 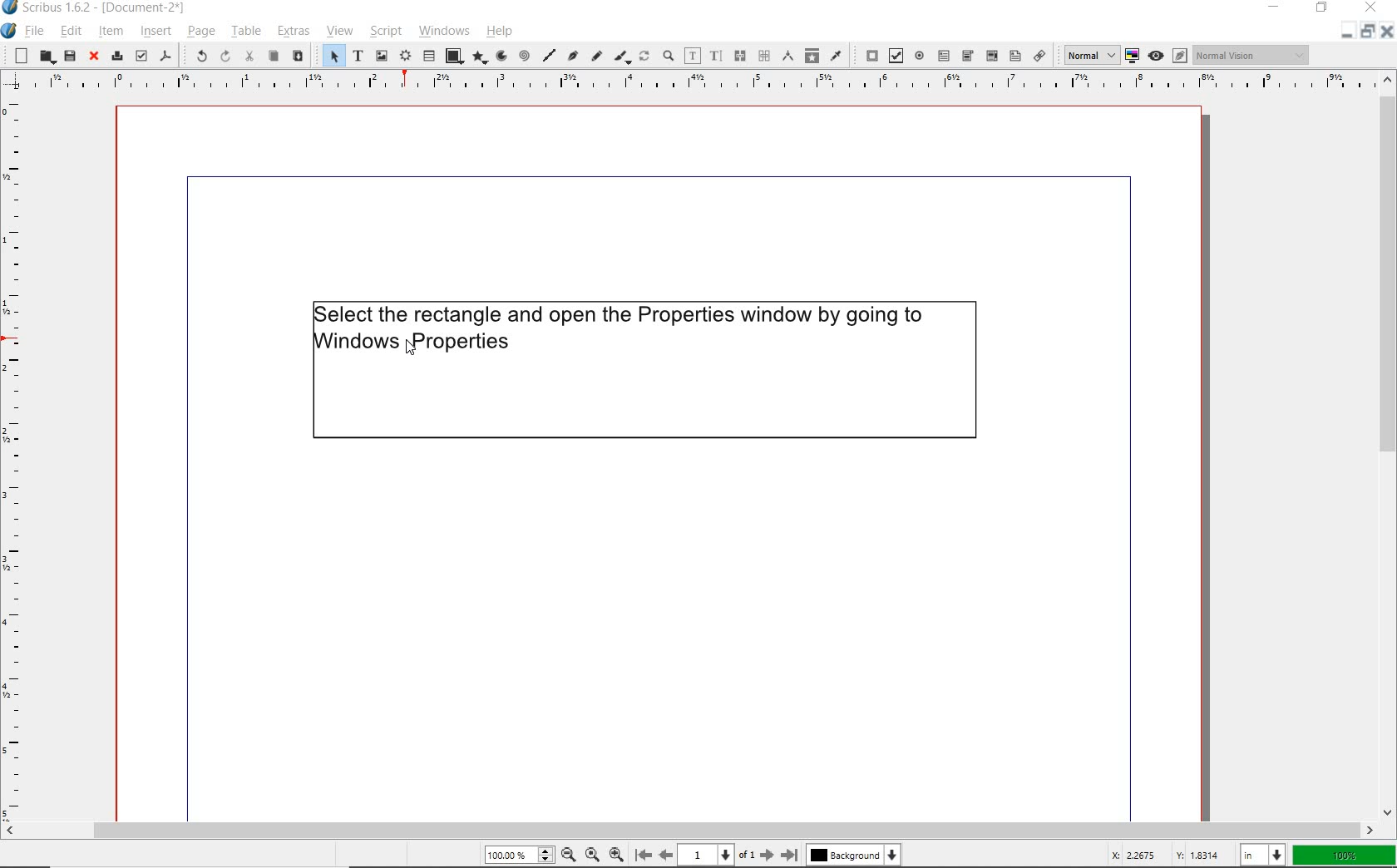 What do you see at coordinates (812, 55) in the screenshot?
I see `copy item properties` at bounding box center [812, 55].